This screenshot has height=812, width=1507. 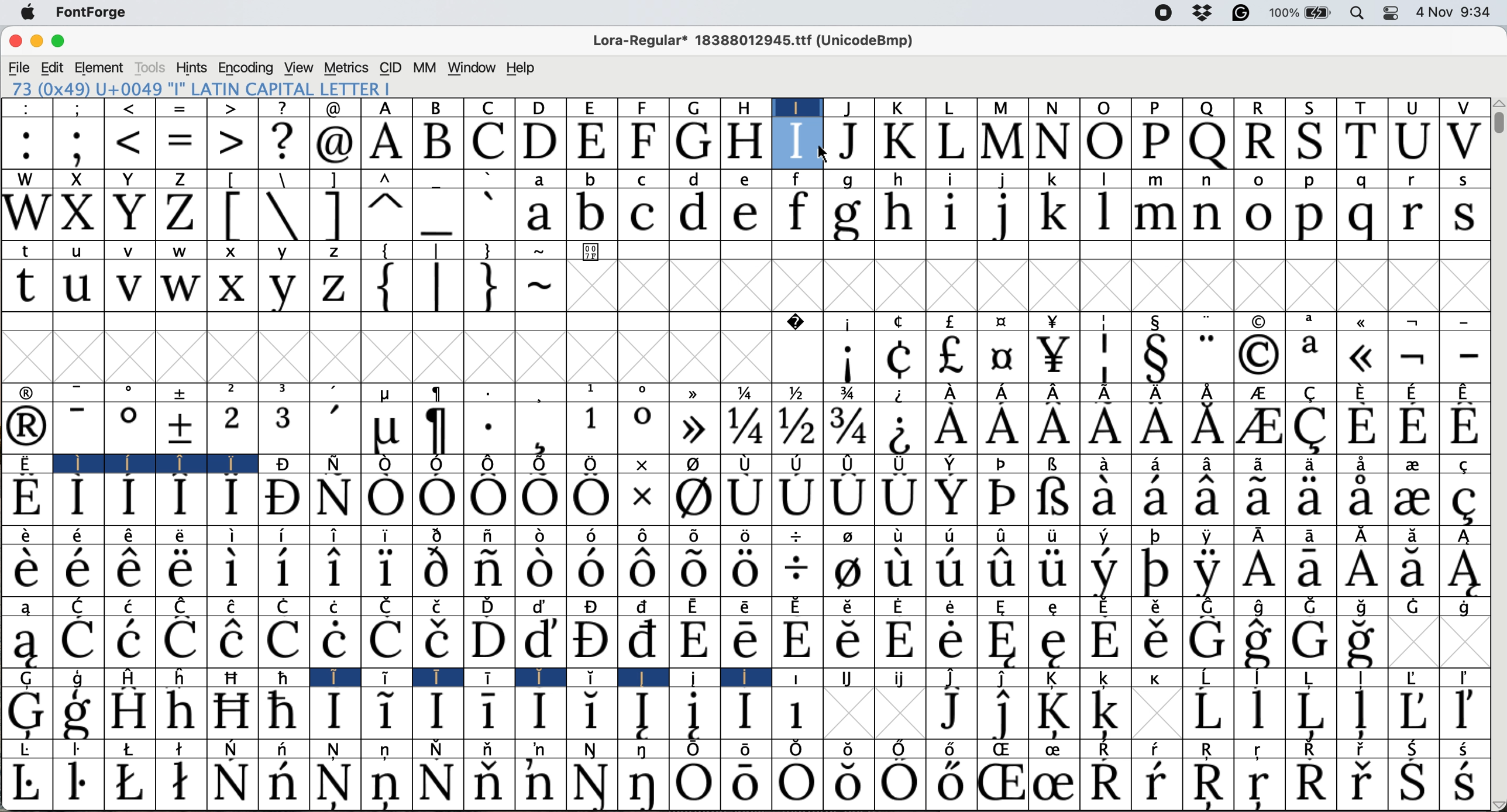 I want to click on Symbol, so click(x=26, y=498).